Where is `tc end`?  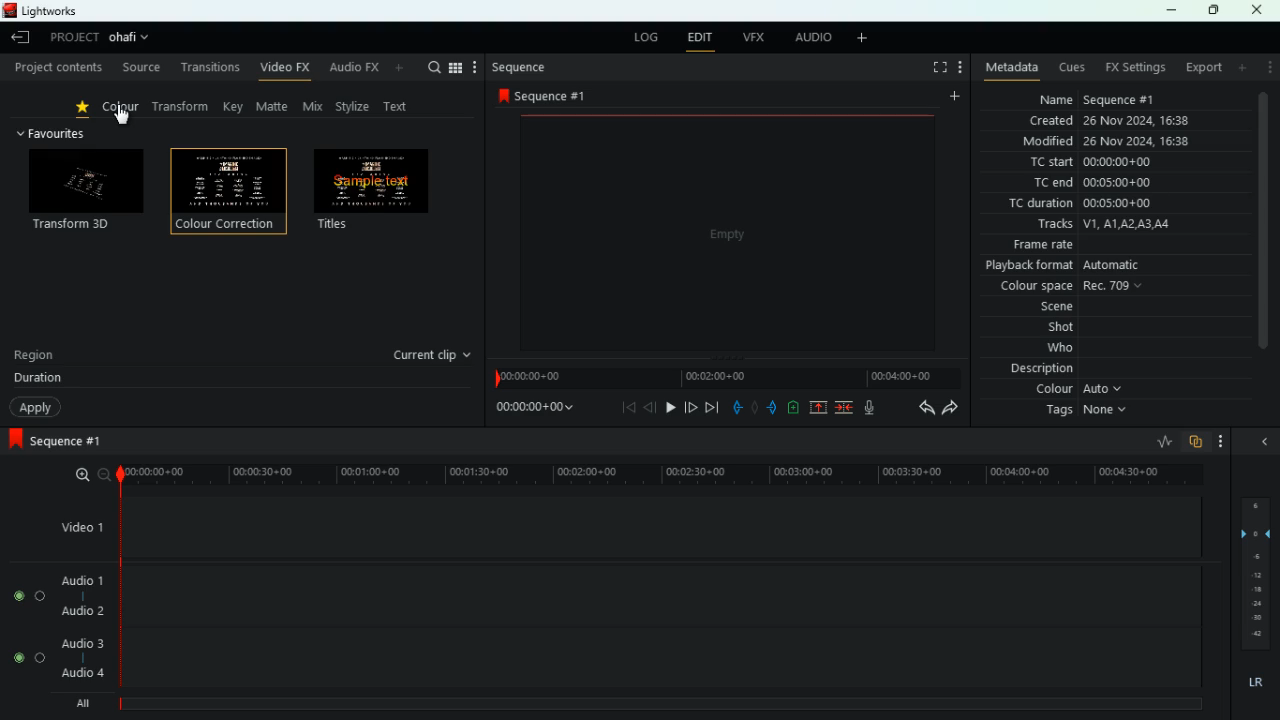
tc end is located at coordinates (1119, 184).